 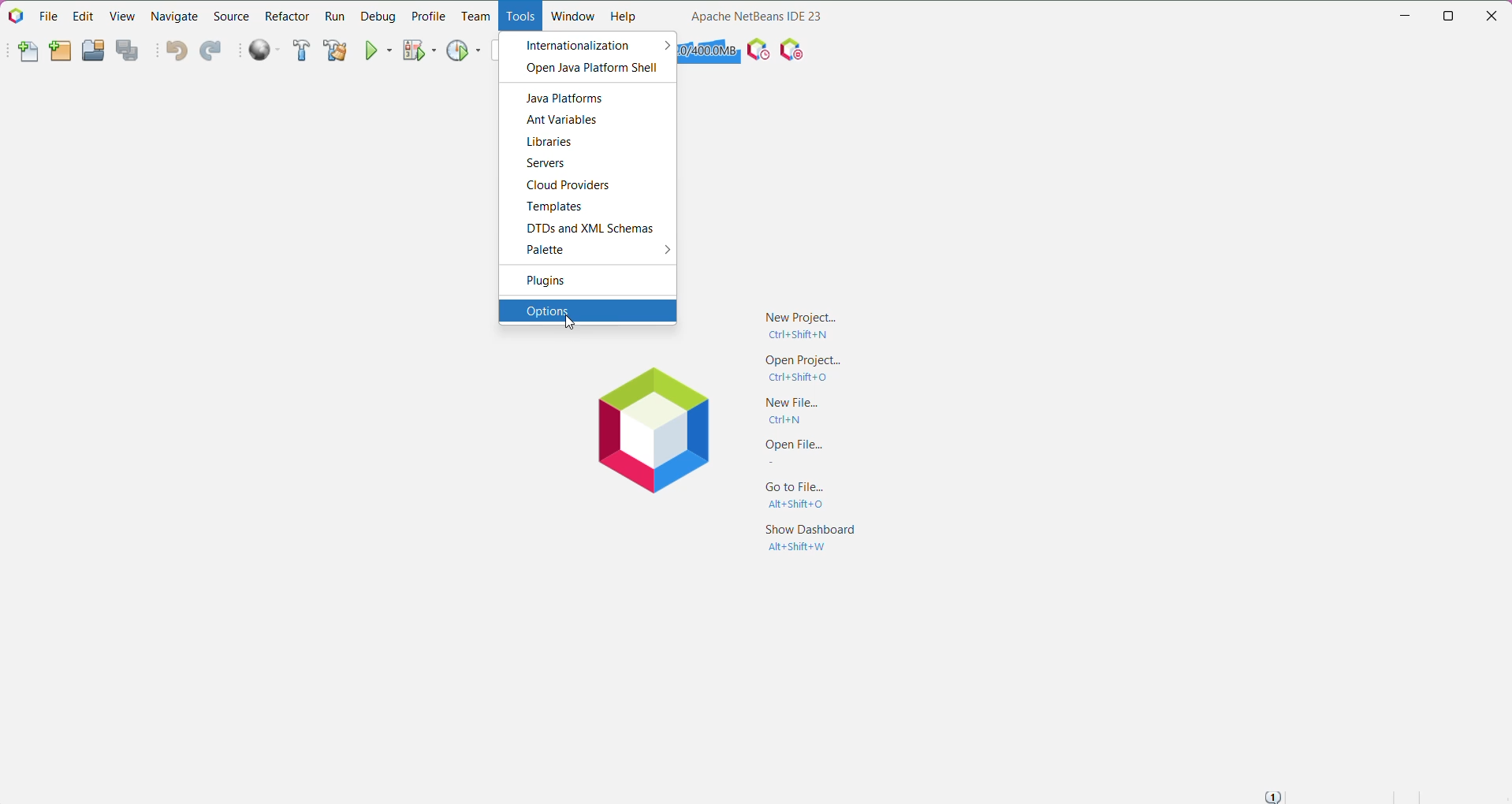 I want to click on Cloud Properties, so click(x=572, y=186).